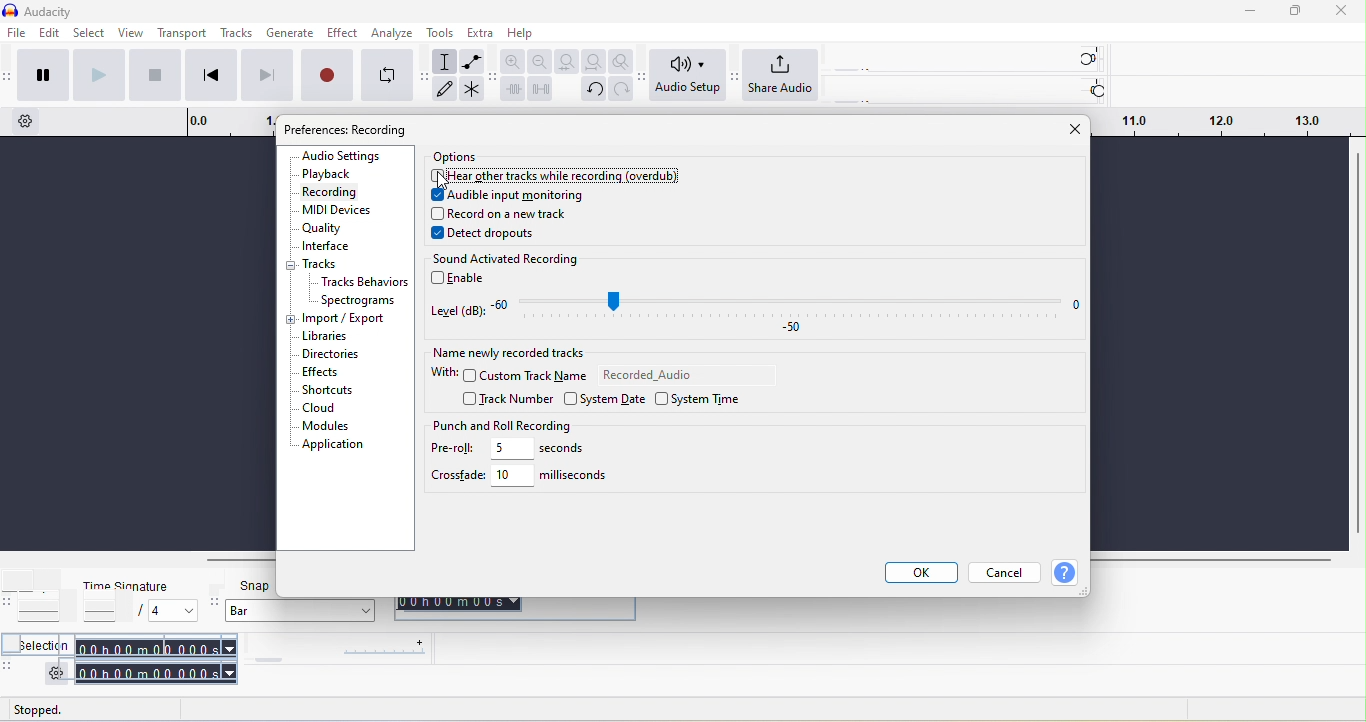 This screenshot has height=722, width=1366. What do you see at coordinates (353, 300) in the screenshot?
I see `spectograms` at bounding box center [353, 300].